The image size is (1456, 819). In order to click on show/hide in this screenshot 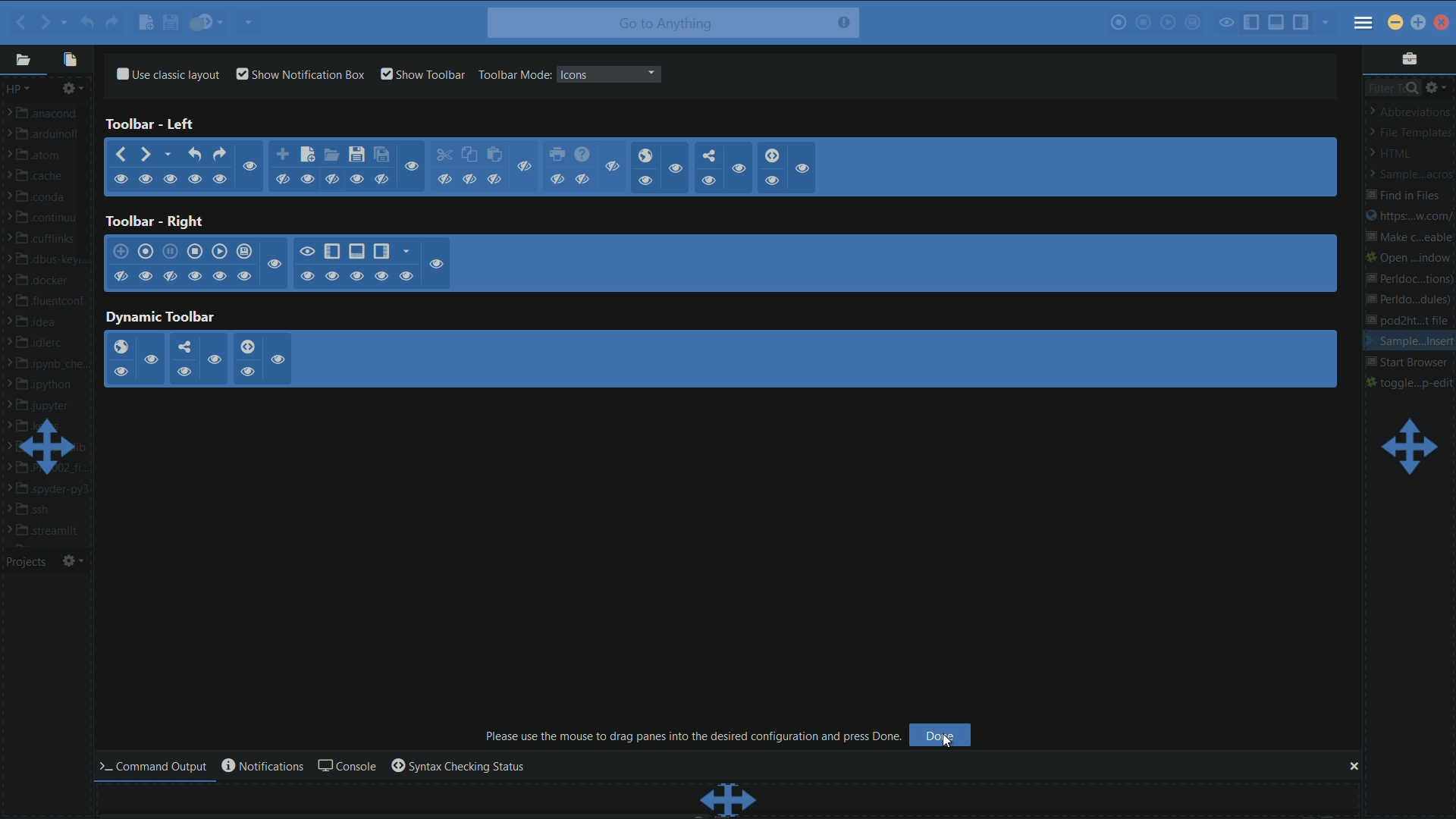, I will do `click(677, 170)`.